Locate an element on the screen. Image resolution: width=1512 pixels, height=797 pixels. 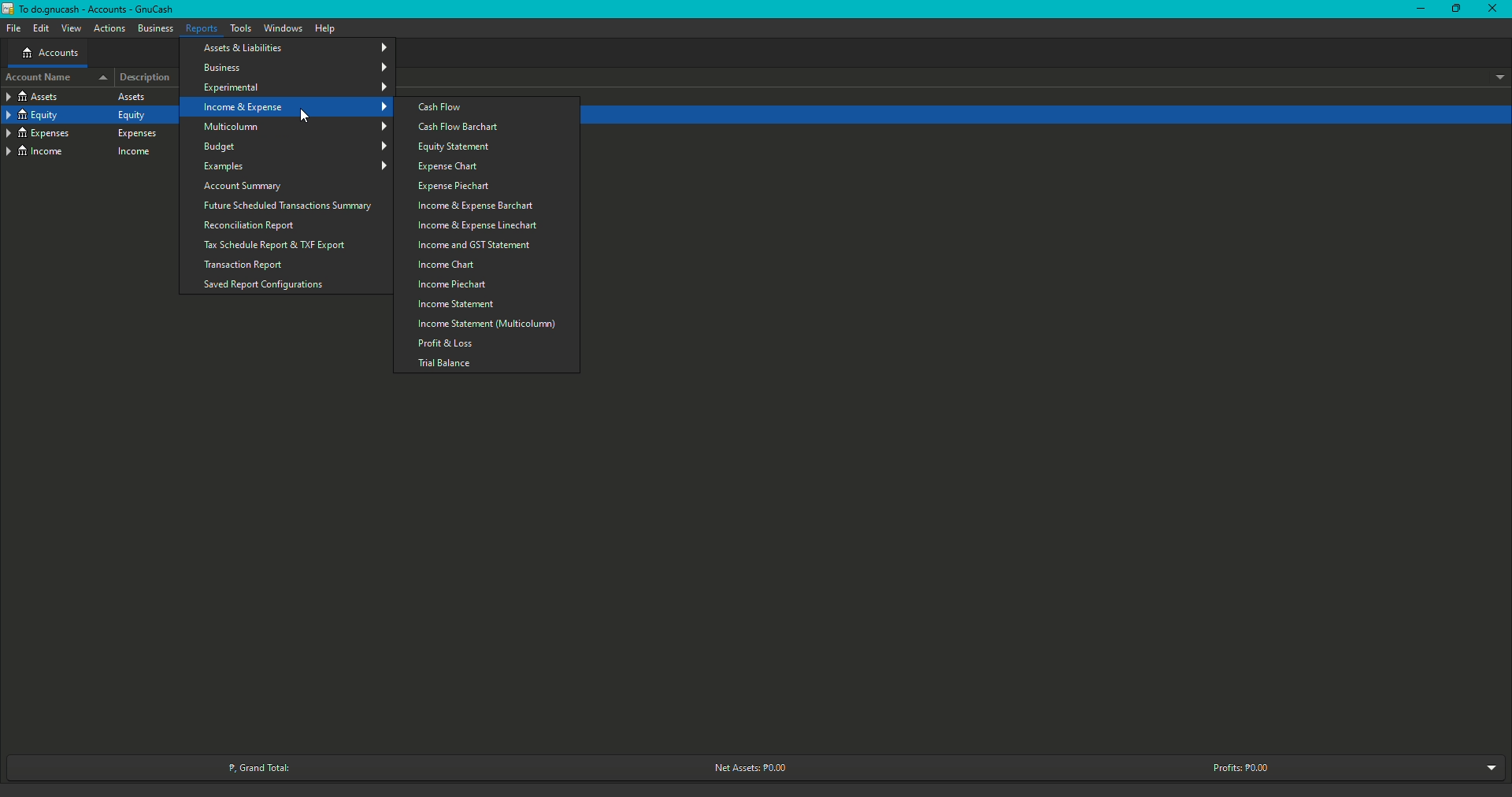
Saved Report Configurations is located at coordinates (266, 284).